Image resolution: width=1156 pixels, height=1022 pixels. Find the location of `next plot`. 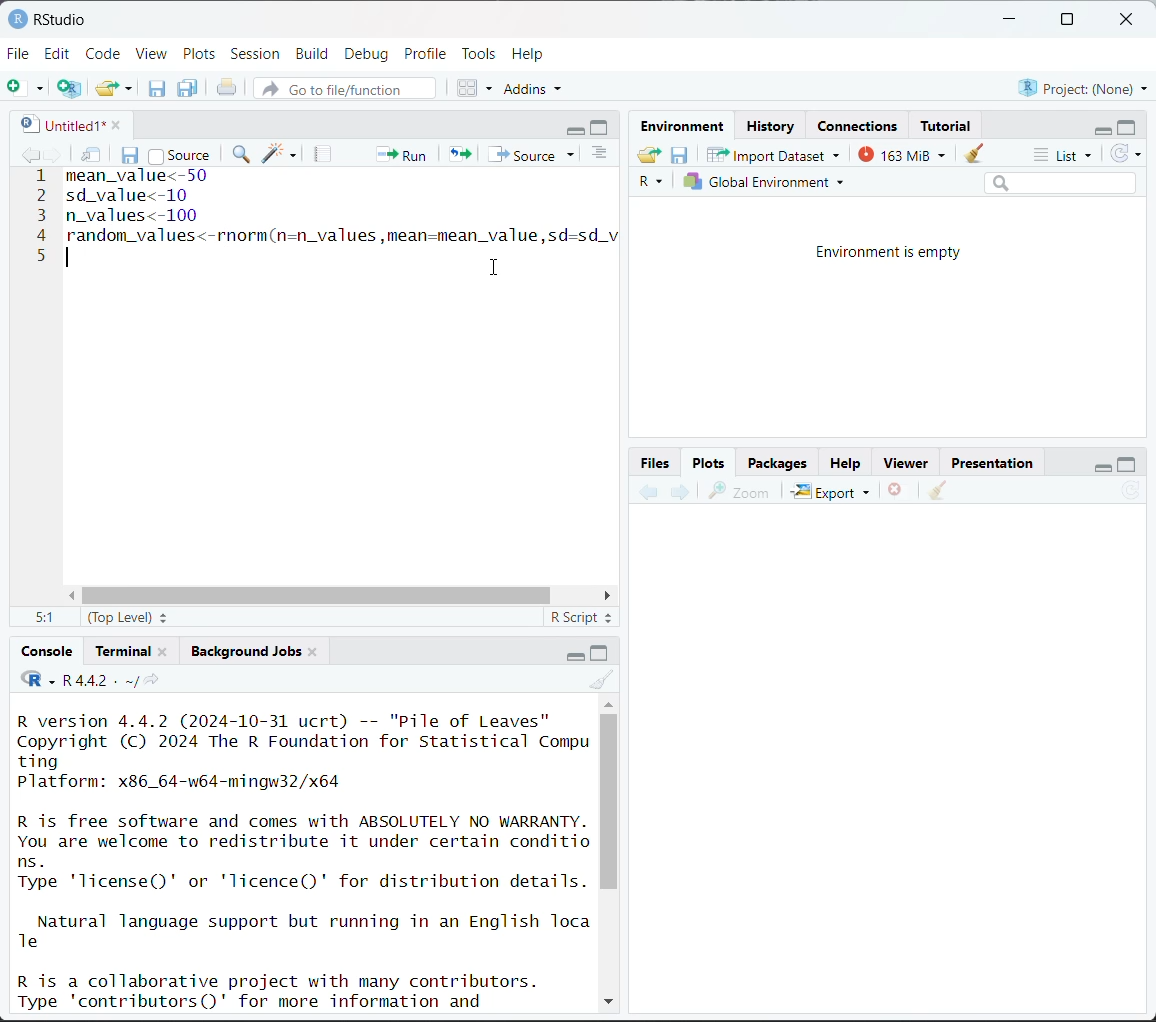

next plot is located at coordinates (678, 492).